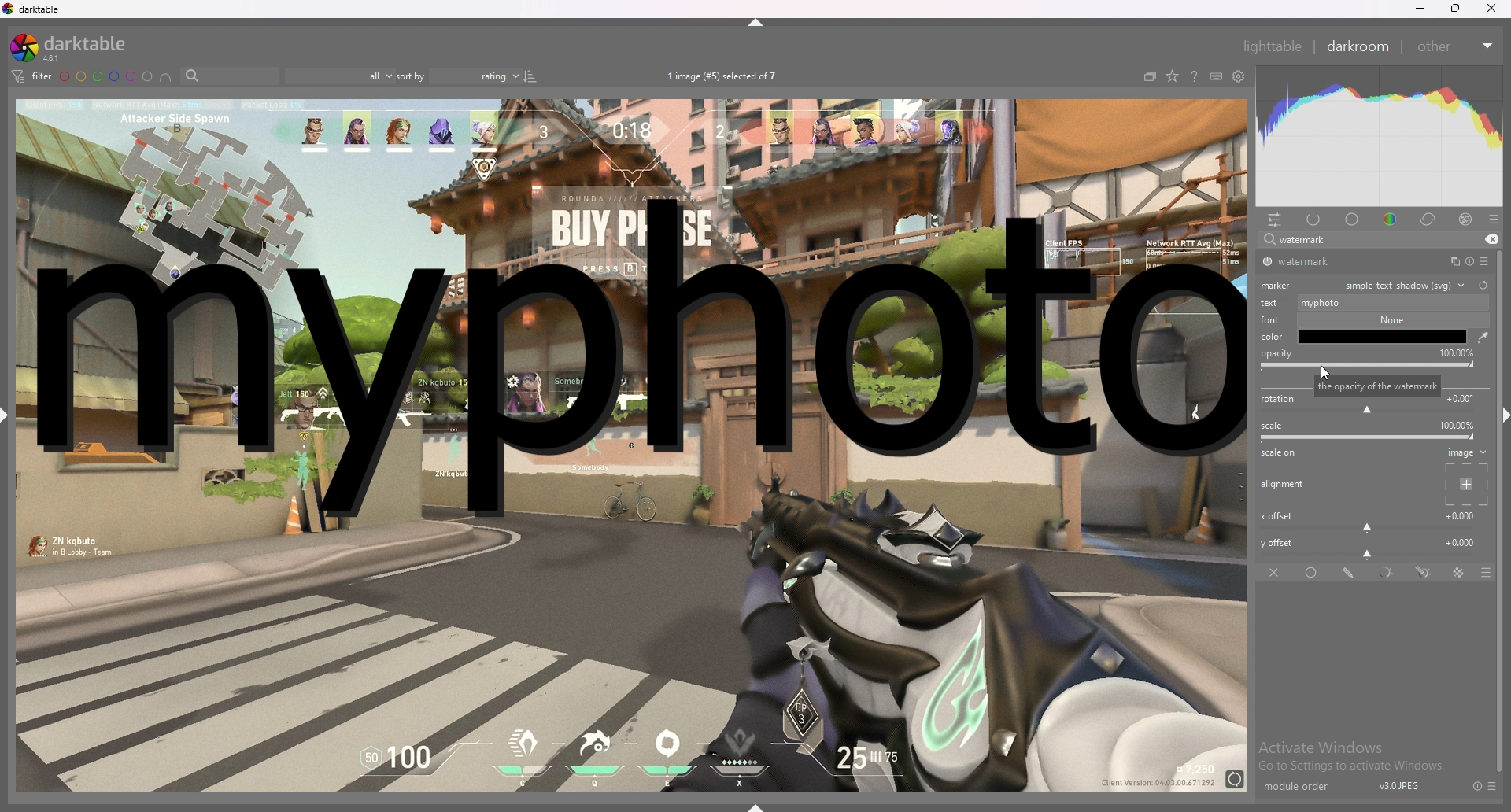 The width and height of the screenshot is (1511, 812). Describe the element at coordinates (1424, 571) in the screenshot. I see `drawn and parametric mask` at that location.